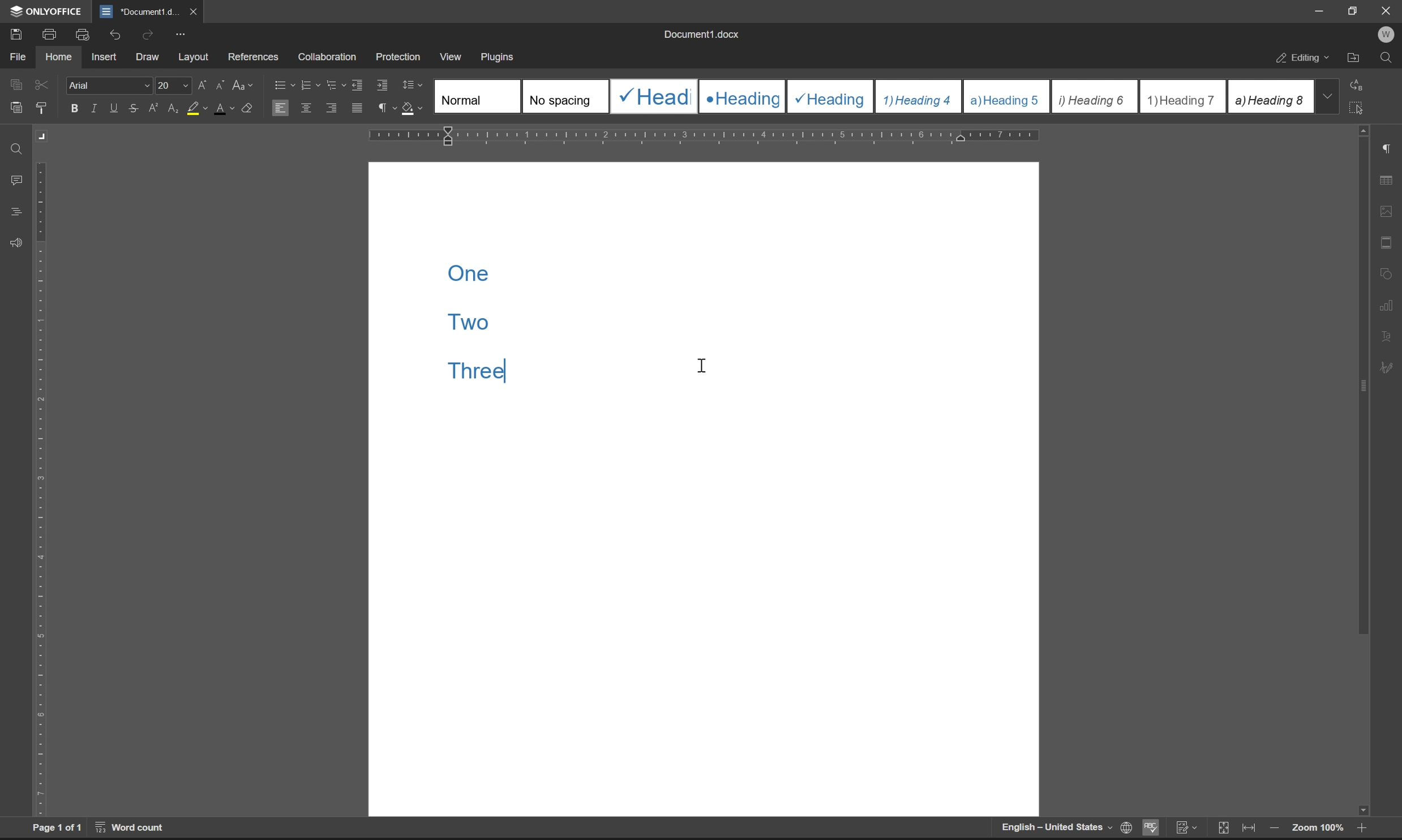 The width and height of the screenshot is (1402, 840). What do you see at coordinates (155, 108) in the screenshot?
I see `superscript` at bounding box center [155, 108].